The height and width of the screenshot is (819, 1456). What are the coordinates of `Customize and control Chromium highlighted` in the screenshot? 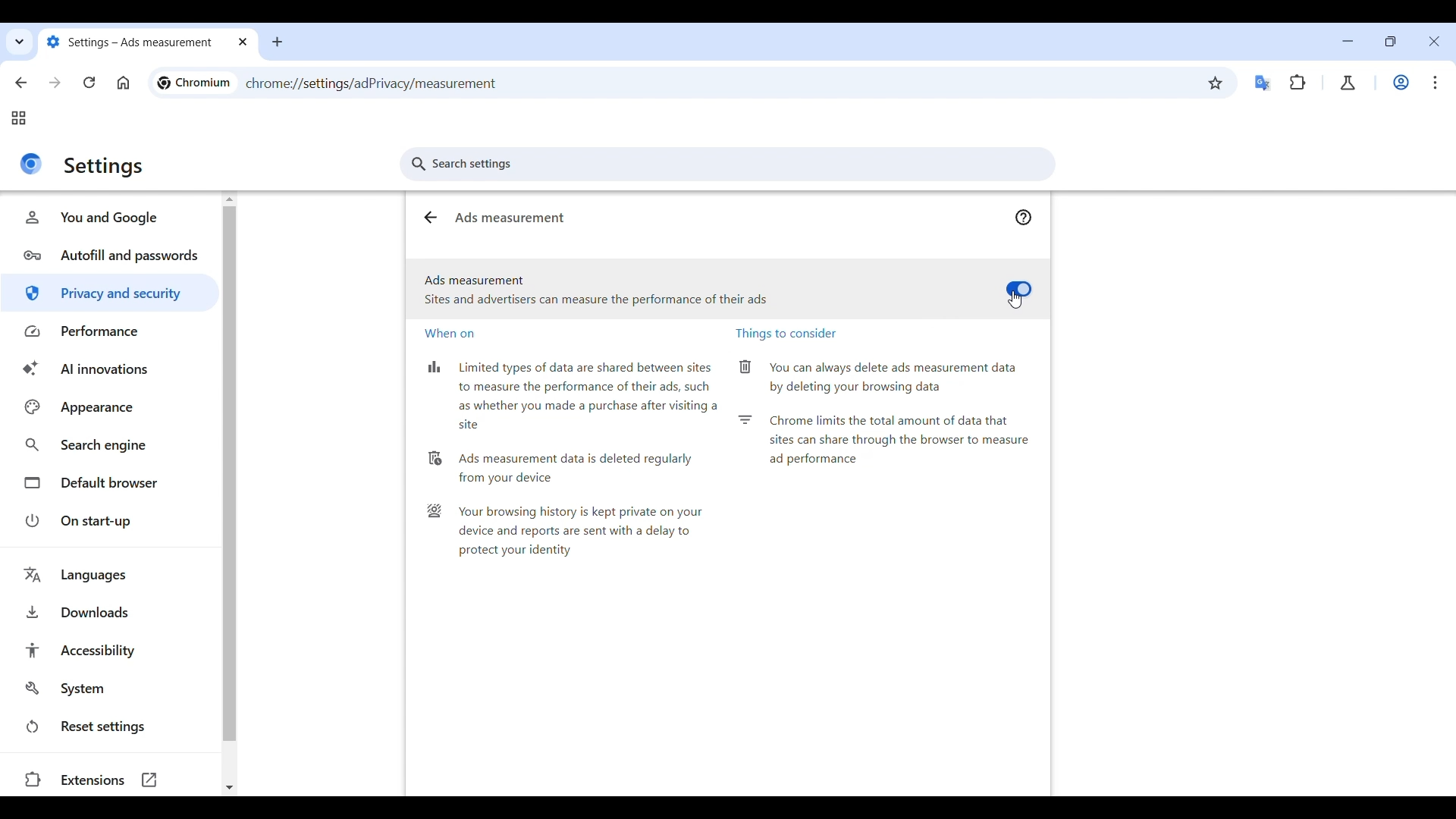 It's located at (1436, 83).